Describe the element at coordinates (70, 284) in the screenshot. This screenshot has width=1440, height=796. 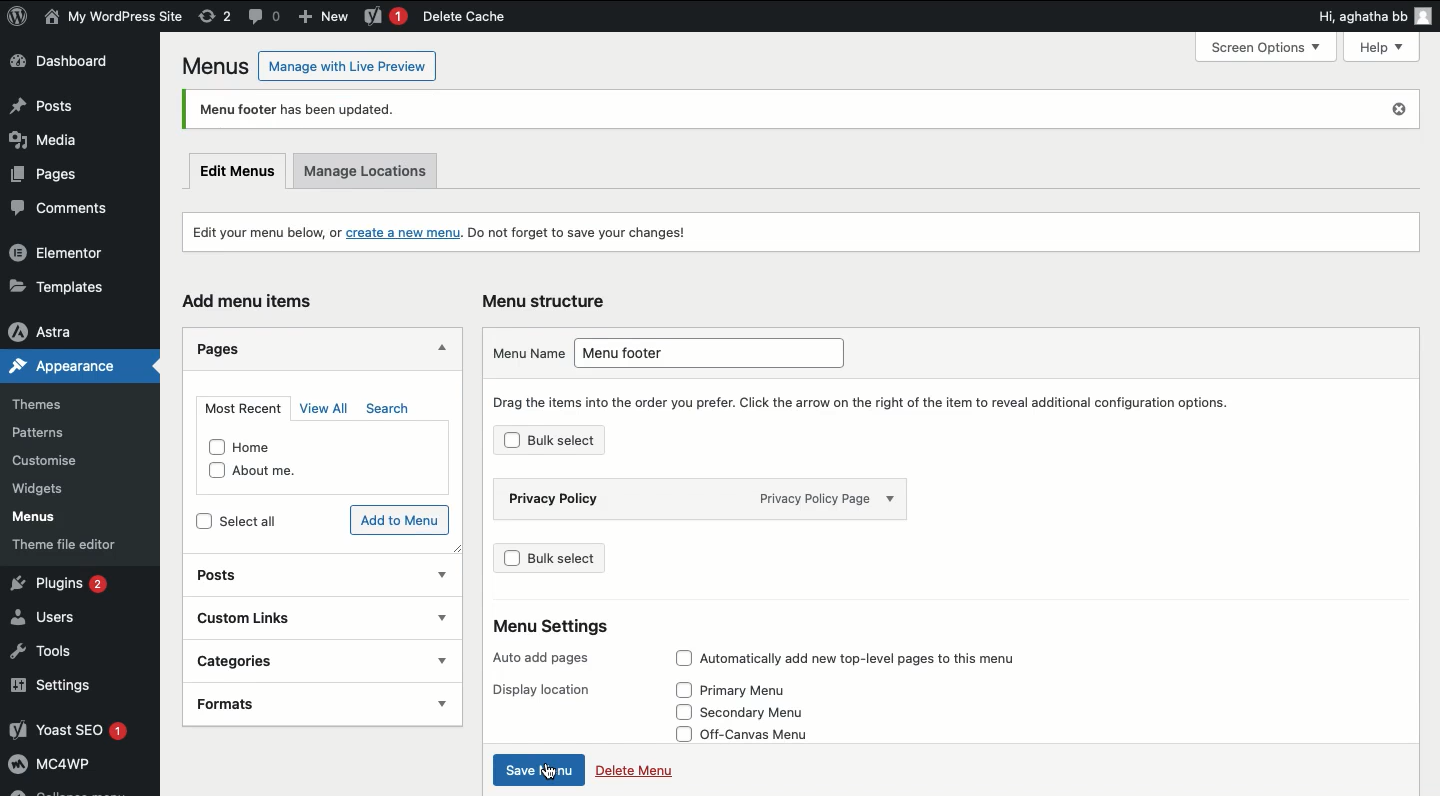
I see `Templates` at that location.